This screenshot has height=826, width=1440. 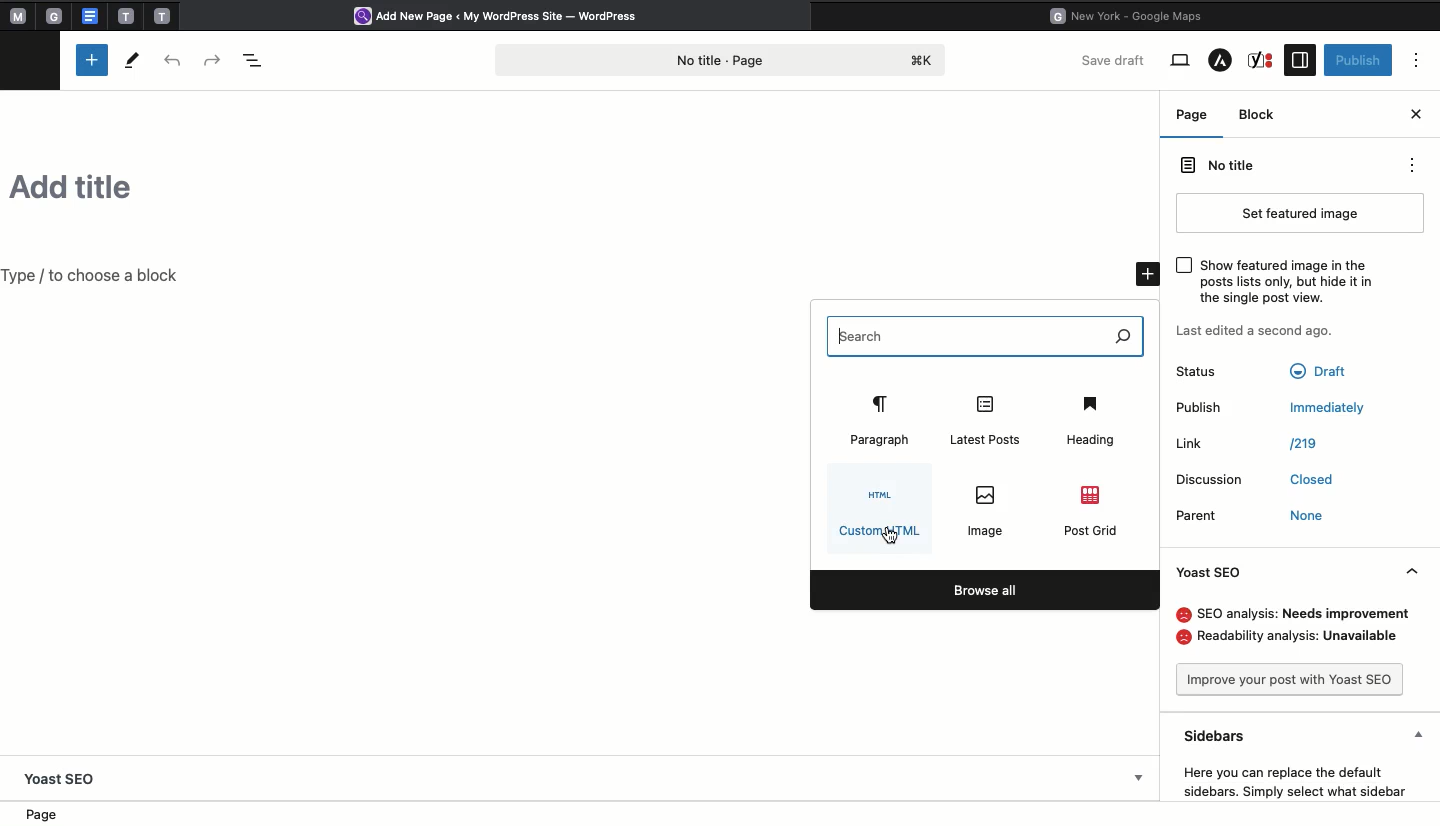 I want to click on google doc, so click(x=89, y=15).